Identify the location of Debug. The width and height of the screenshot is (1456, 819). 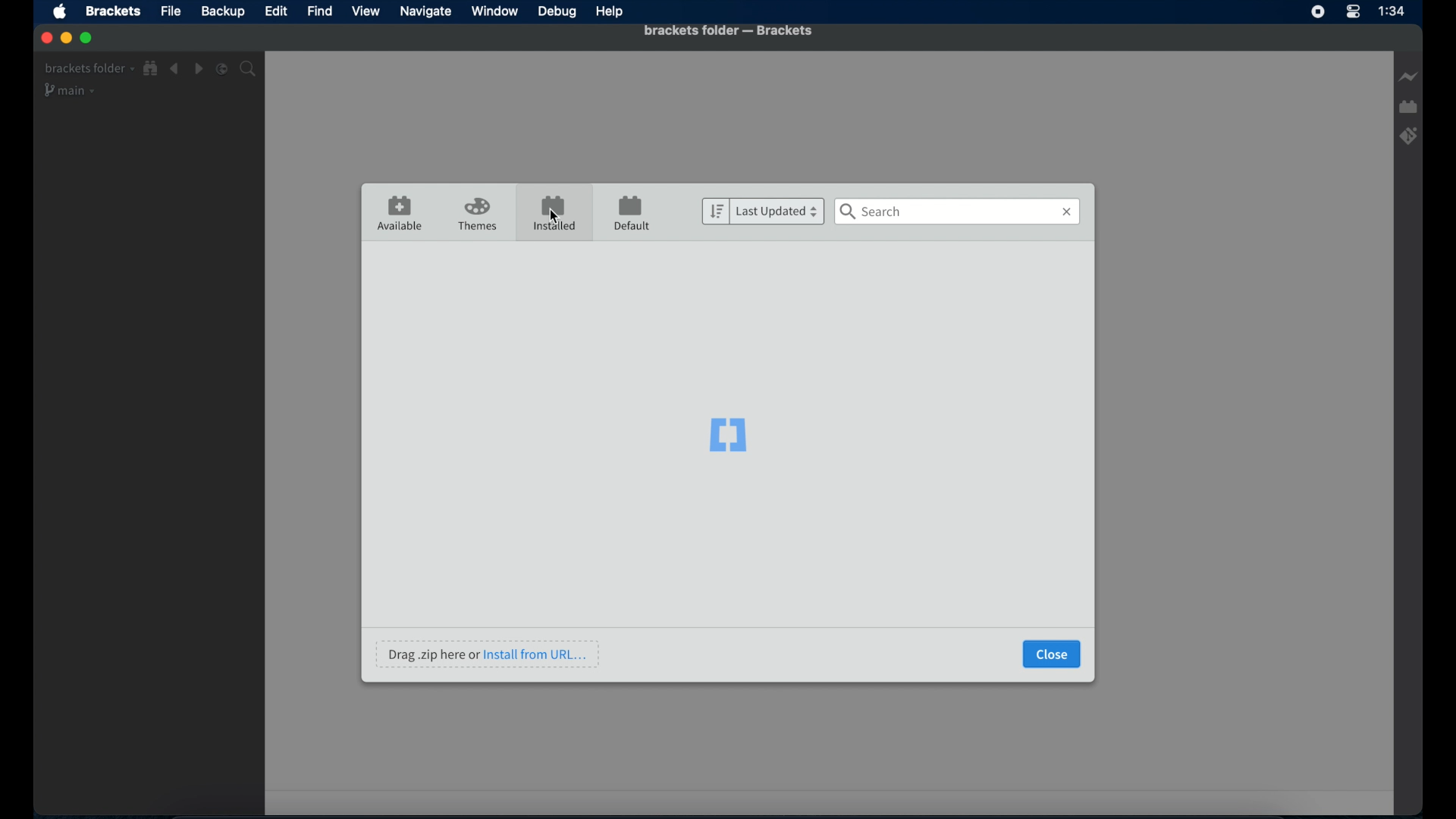
(557, 11).